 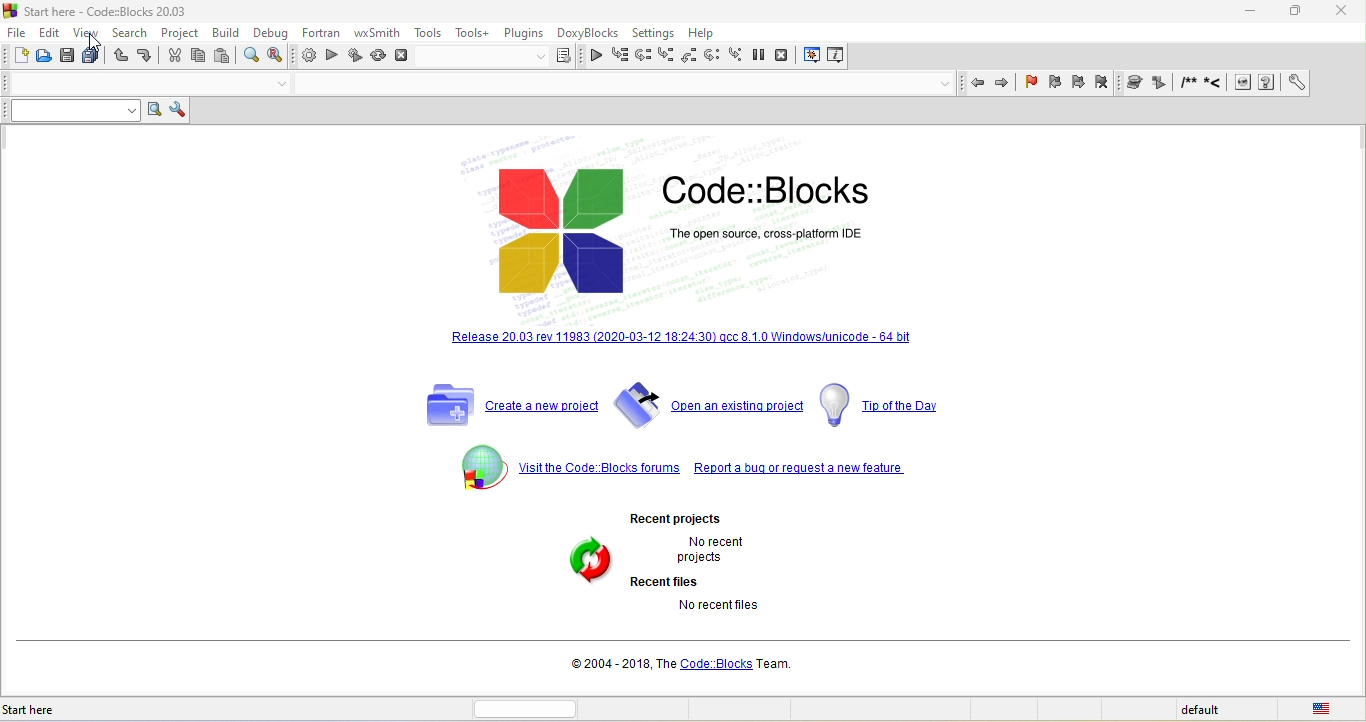 I want to click on settings, so click(x=657, y=31).